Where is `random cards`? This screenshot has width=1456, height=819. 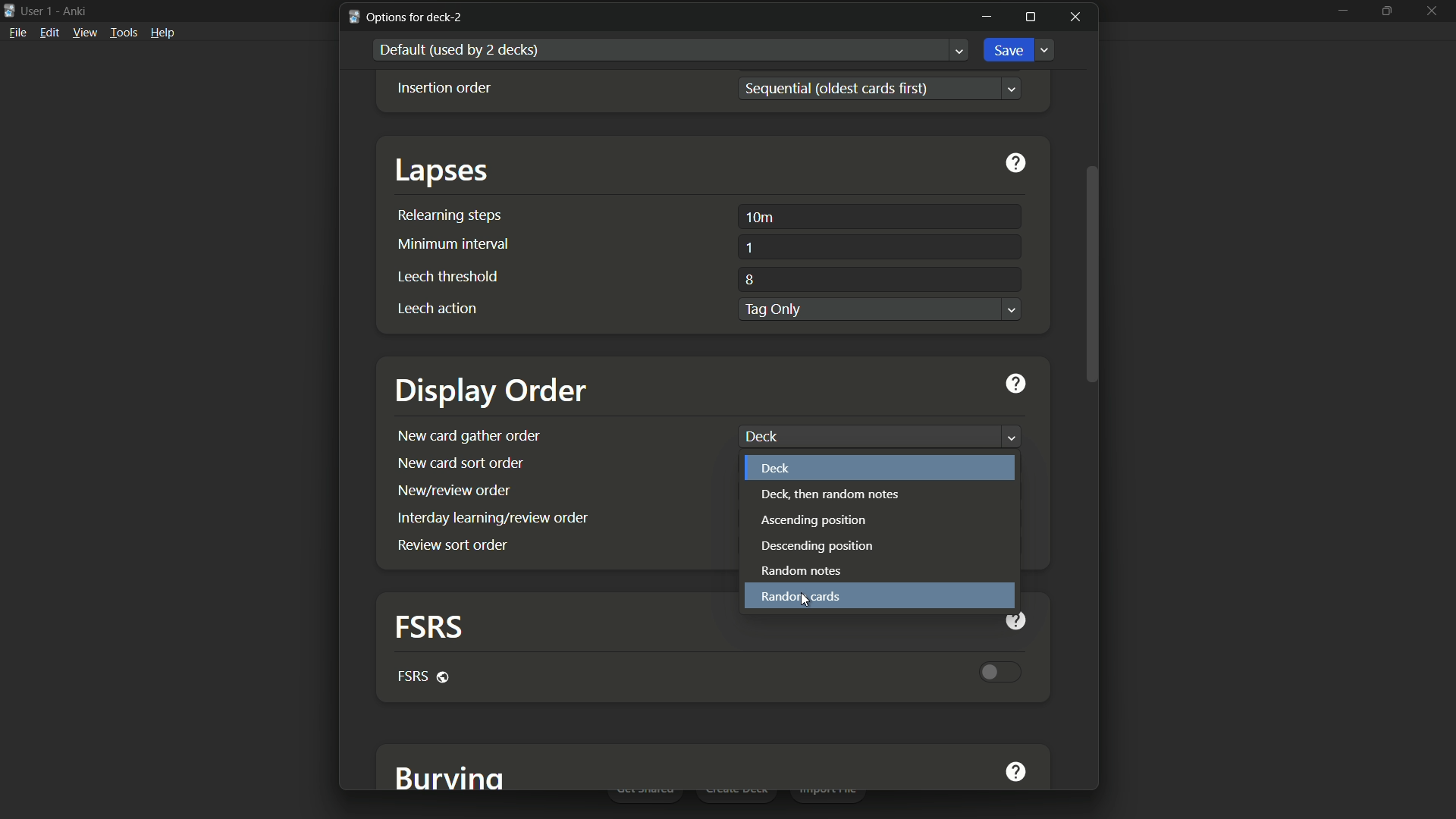
random cards is located at coordinates (799, 596).